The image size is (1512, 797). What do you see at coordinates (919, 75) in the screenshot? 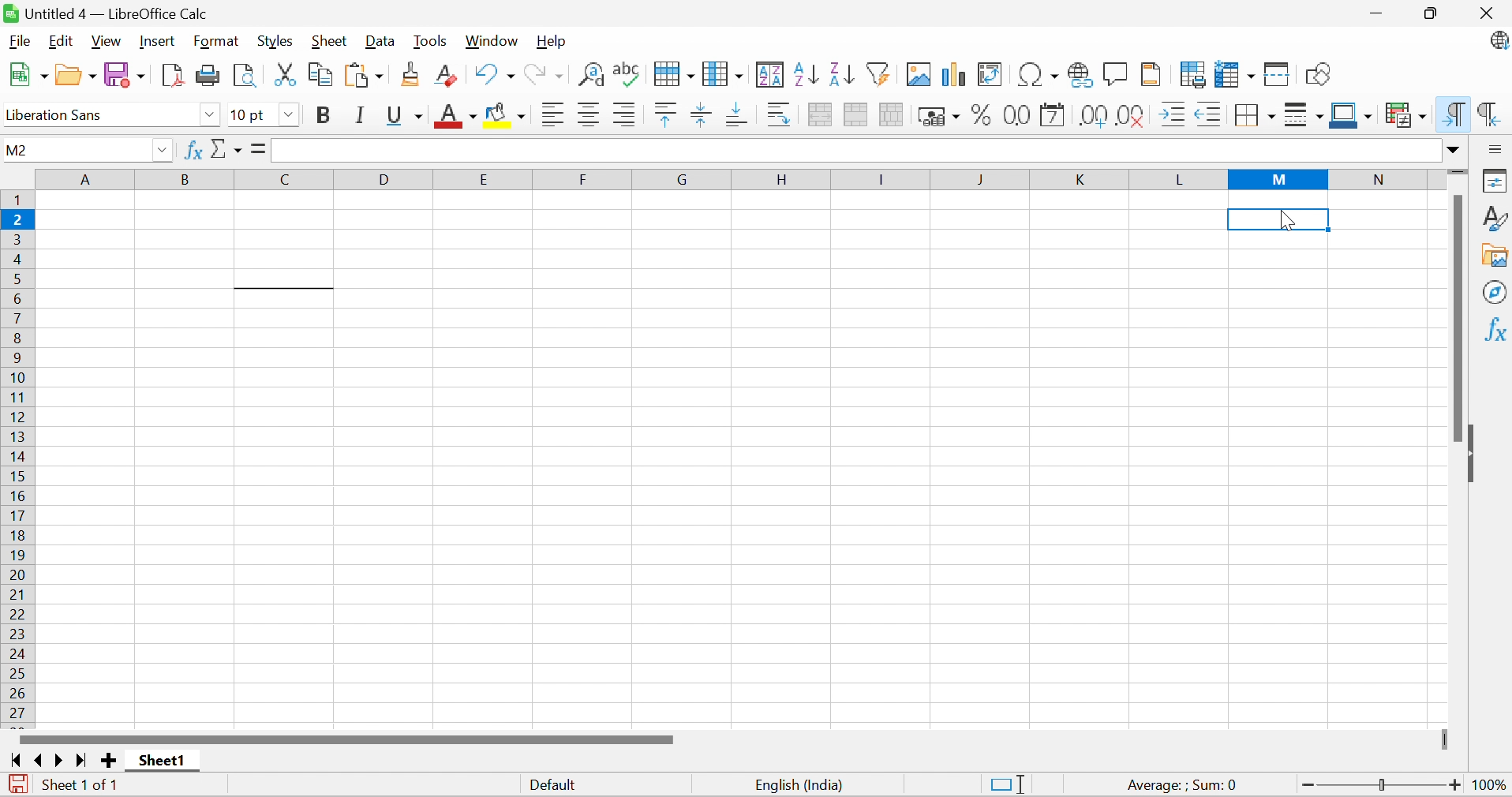
I see `Insert image` at bounding box center [919, 75].